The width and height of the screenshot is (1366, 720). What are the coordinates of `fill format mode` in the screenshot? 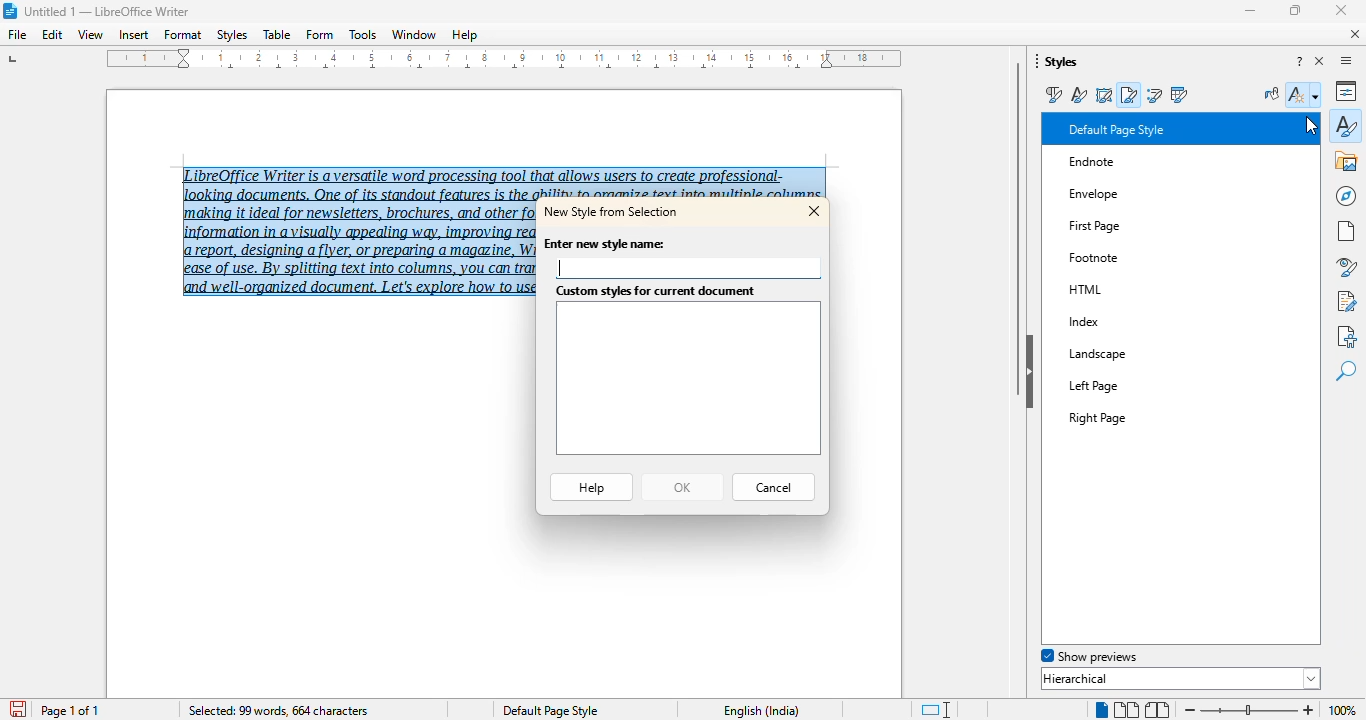 It's located at (1272, 94).